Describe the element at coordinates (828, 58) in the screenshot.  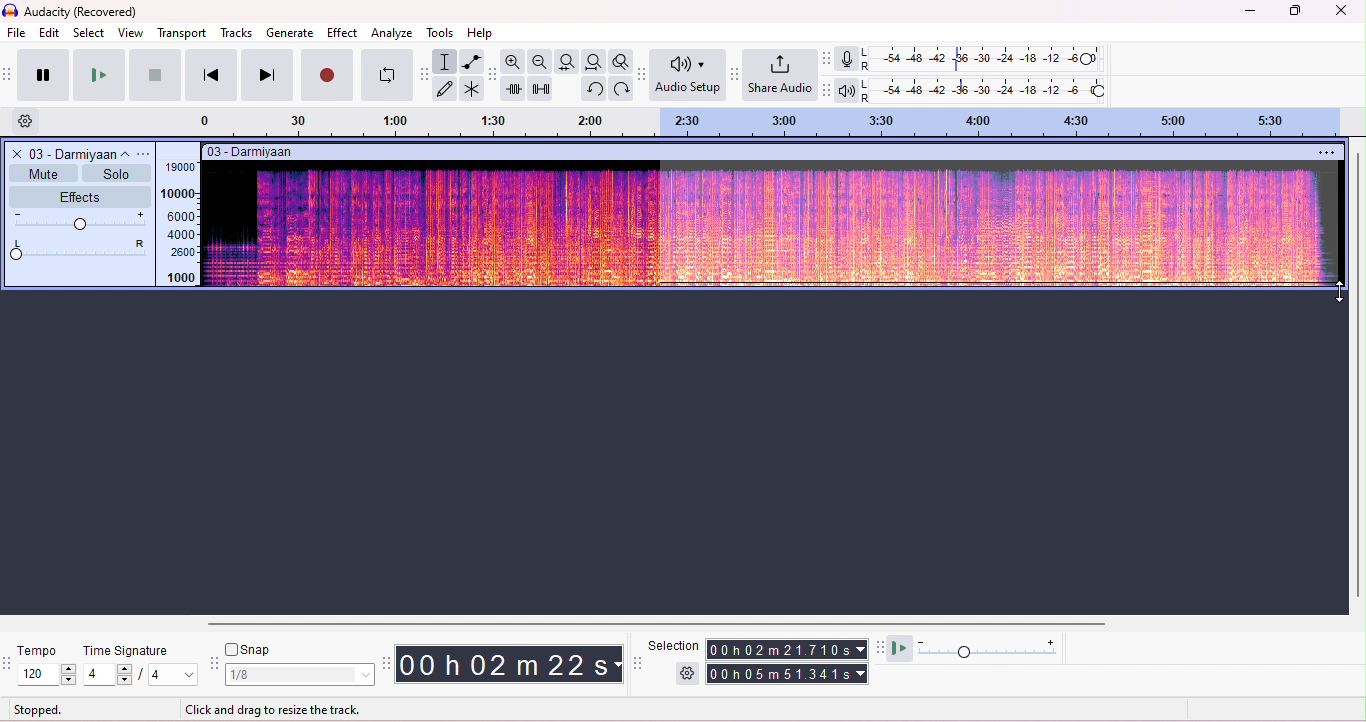
I see `recording meter tool bar` at that location.